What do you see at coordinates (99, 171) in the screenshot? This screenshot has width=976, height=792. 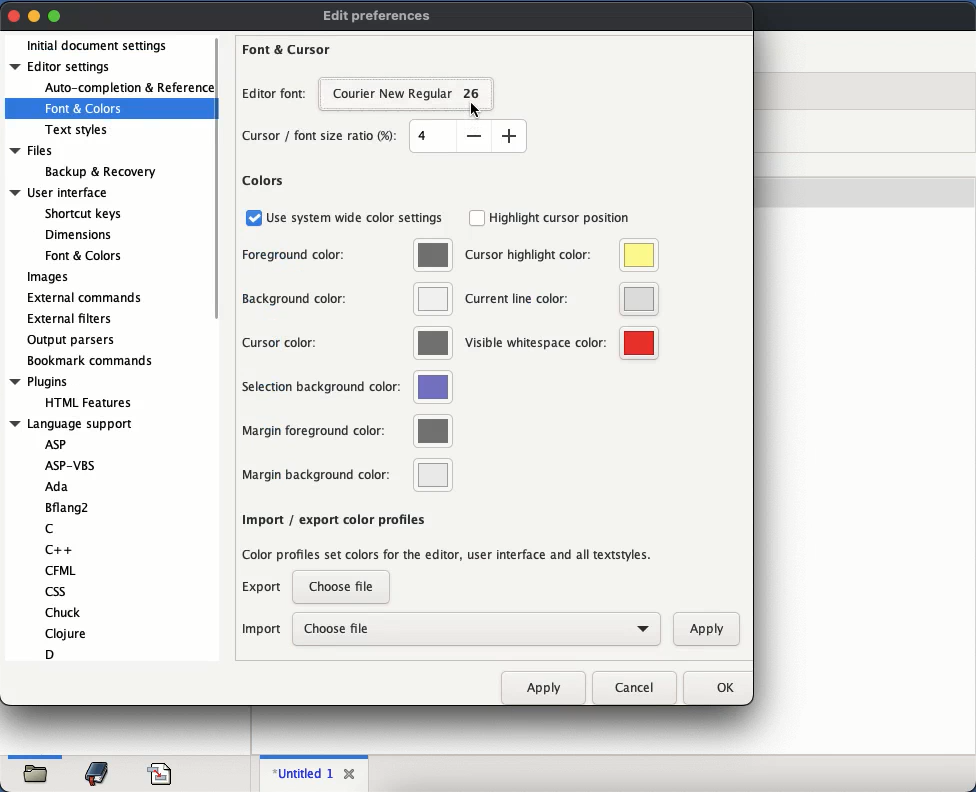 I see `Backup & Recovery` at bounding box center [99, 171].